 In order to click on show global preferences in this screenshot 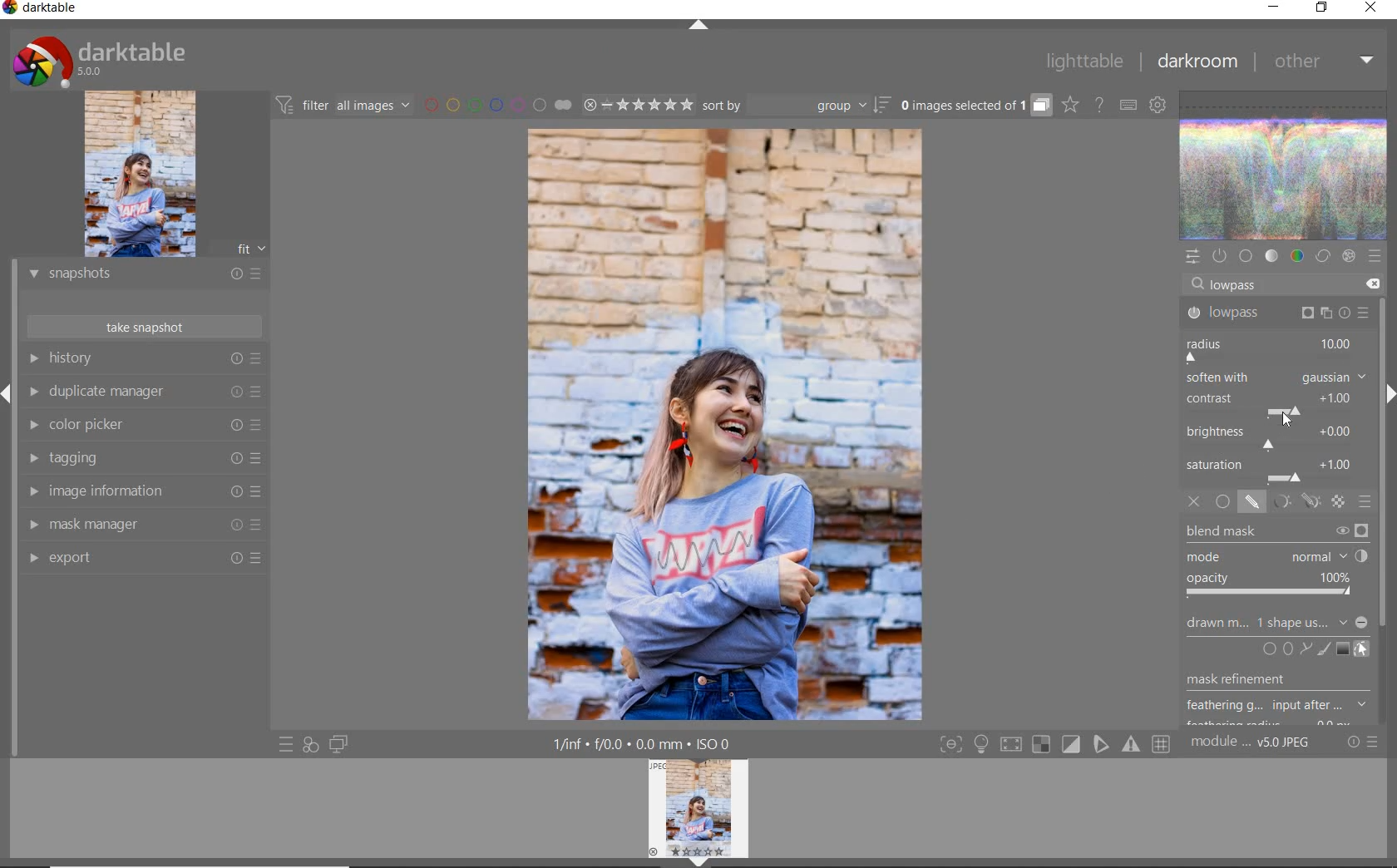, I will do `click(1158, 106)`.